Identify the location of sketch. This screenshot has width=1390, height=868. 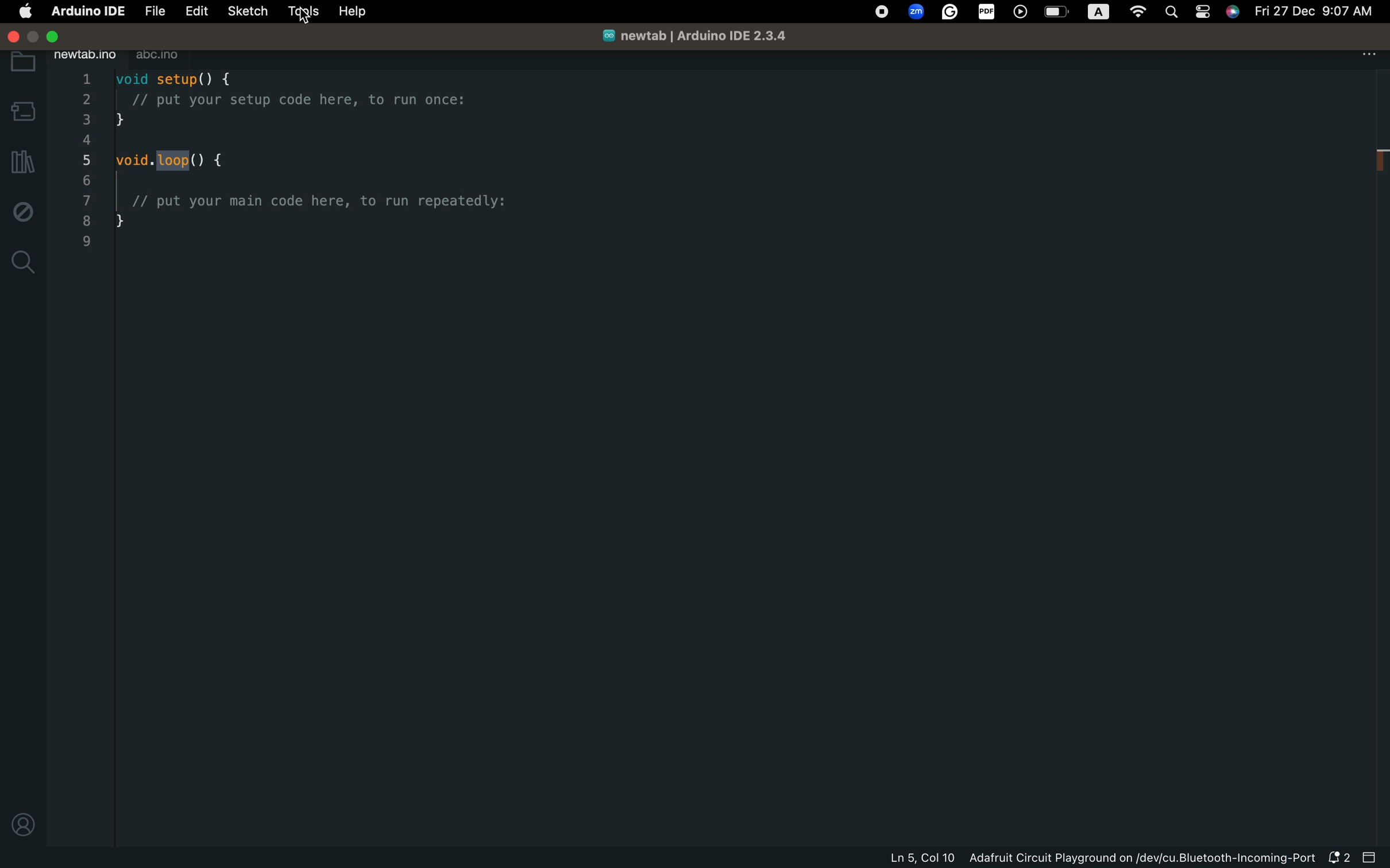
(248, 10).